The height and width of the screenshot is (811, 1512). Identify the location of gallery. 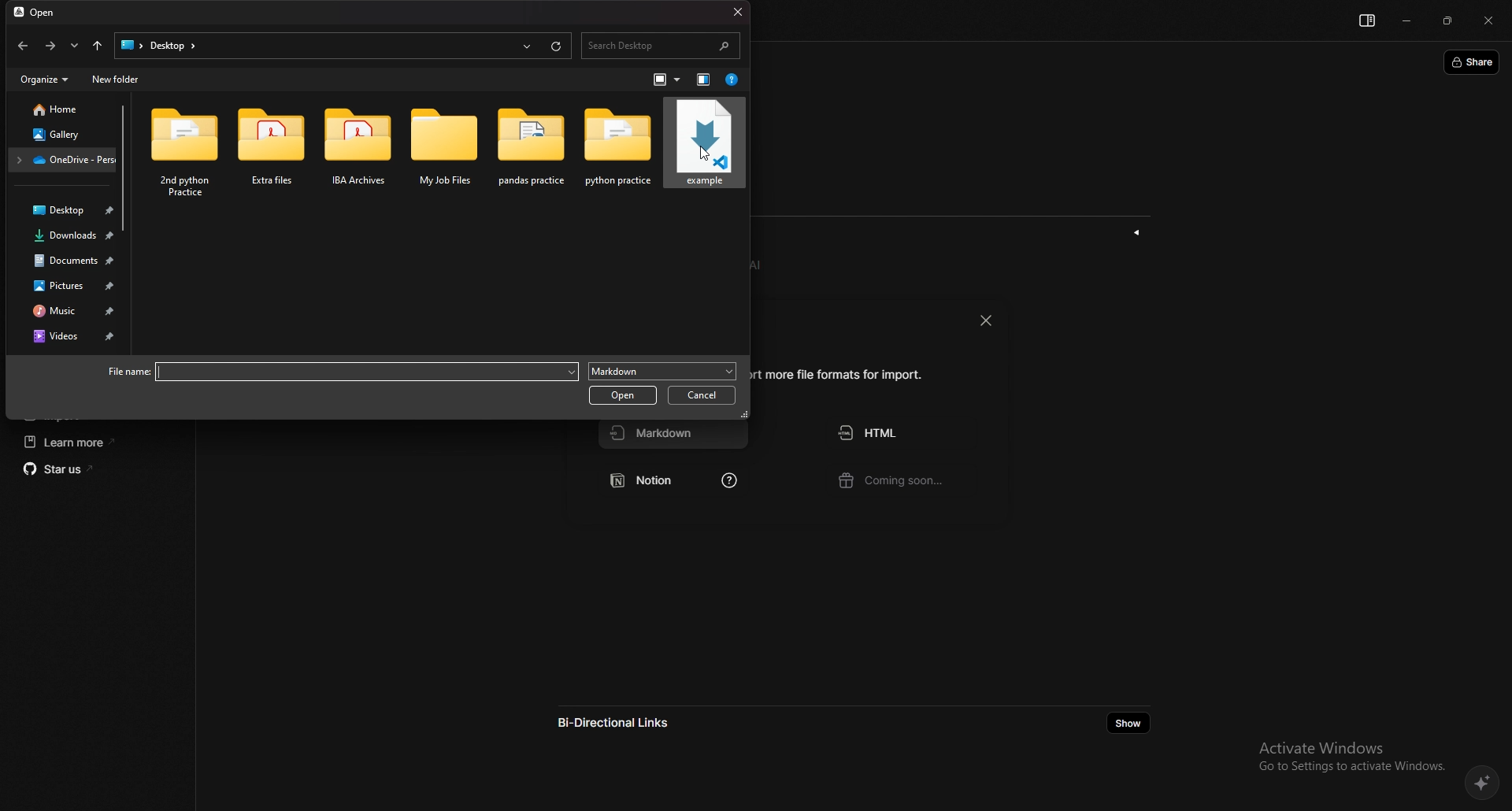
(57, 134).